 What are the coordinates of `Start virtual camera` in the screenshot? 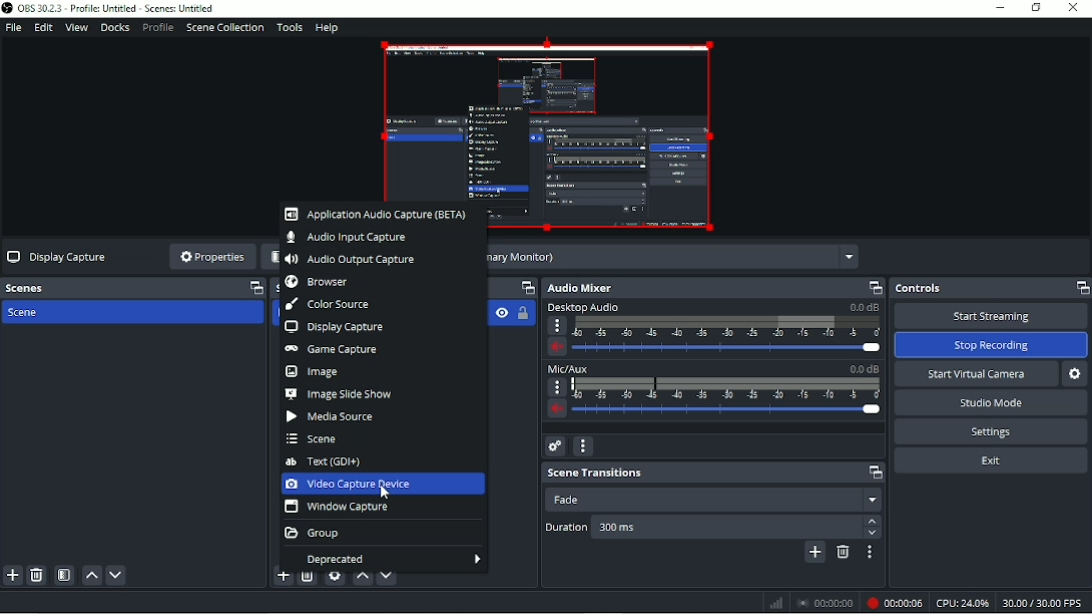 It's located at (974, 373).